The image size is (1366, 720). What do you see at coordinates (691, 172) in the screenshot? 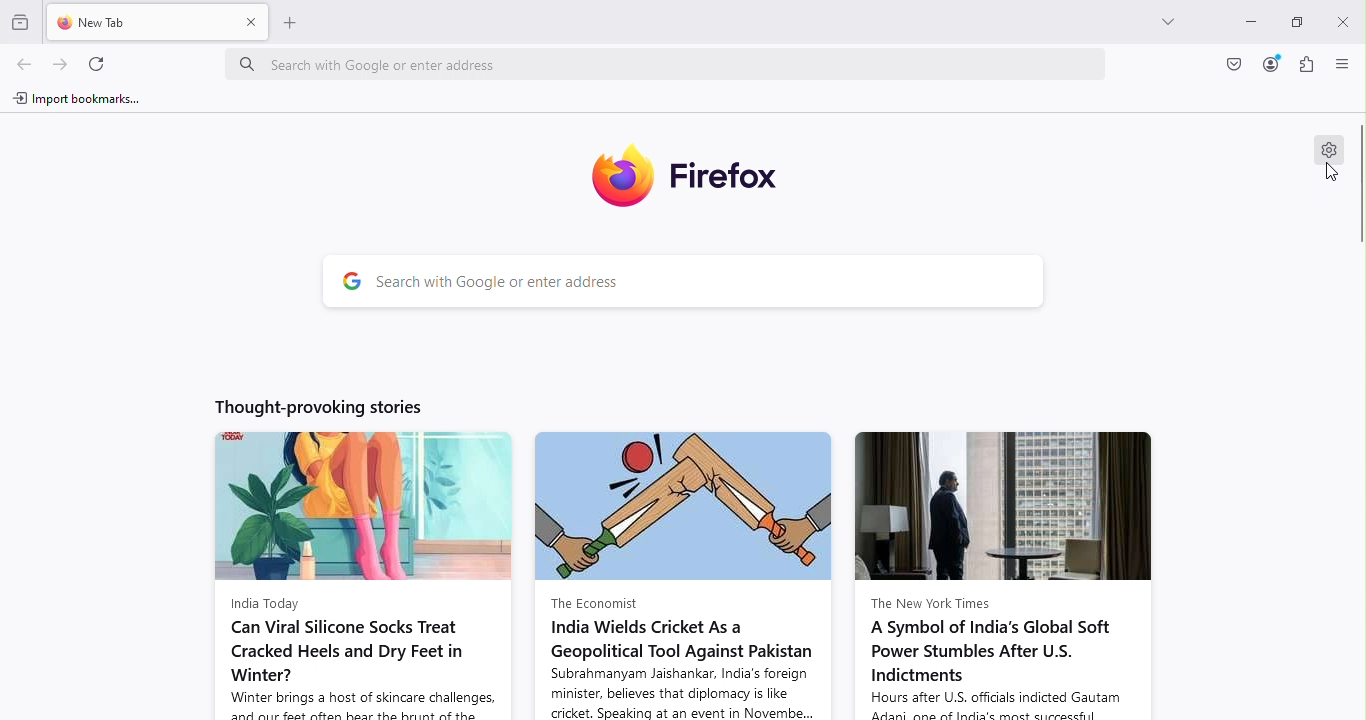
I see `Firefox icon` at bounding box center [691, 172].